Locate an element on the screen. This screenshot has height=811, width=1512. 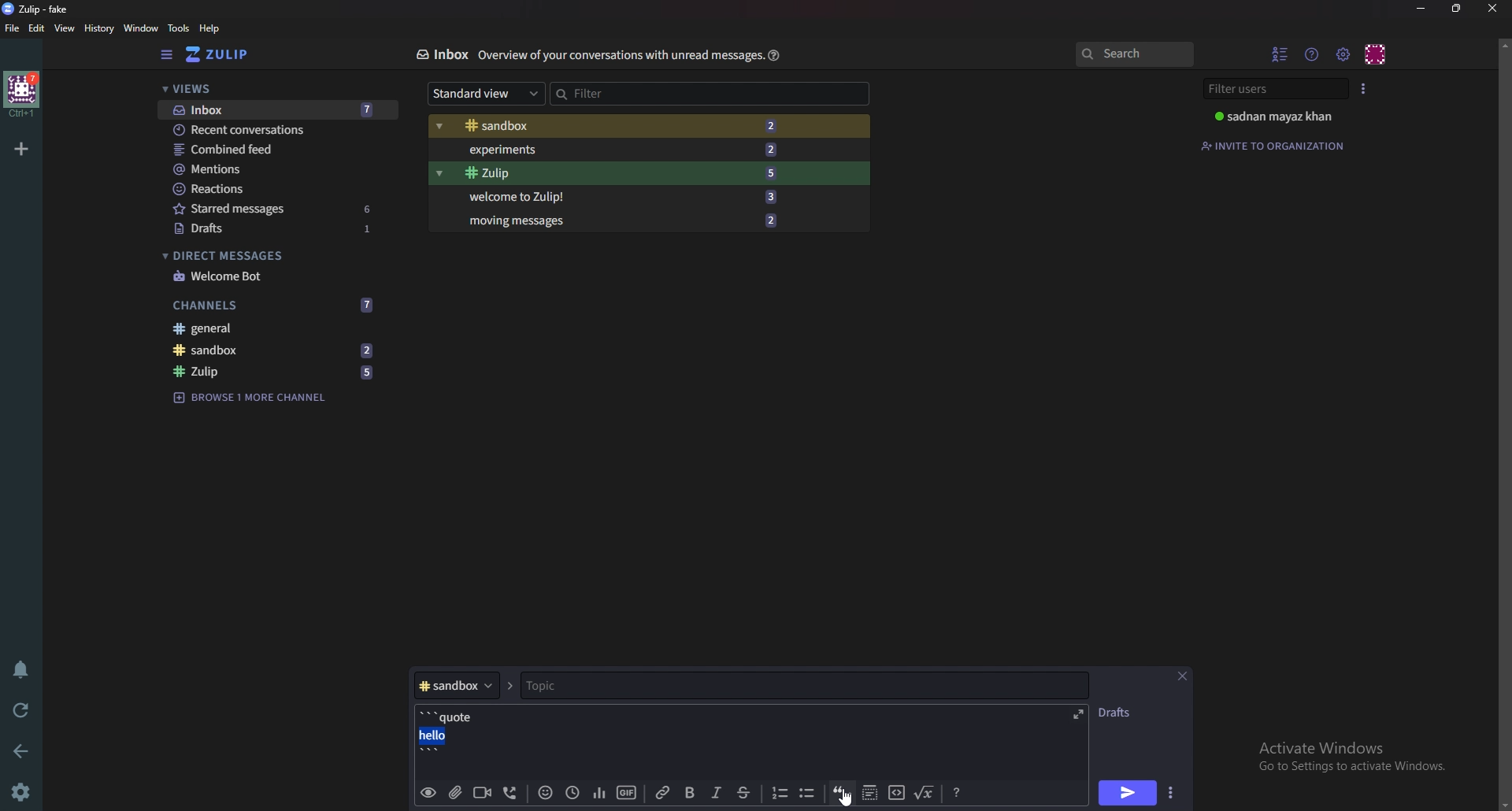
DRAFTS is located at coordinates (1120, 712).